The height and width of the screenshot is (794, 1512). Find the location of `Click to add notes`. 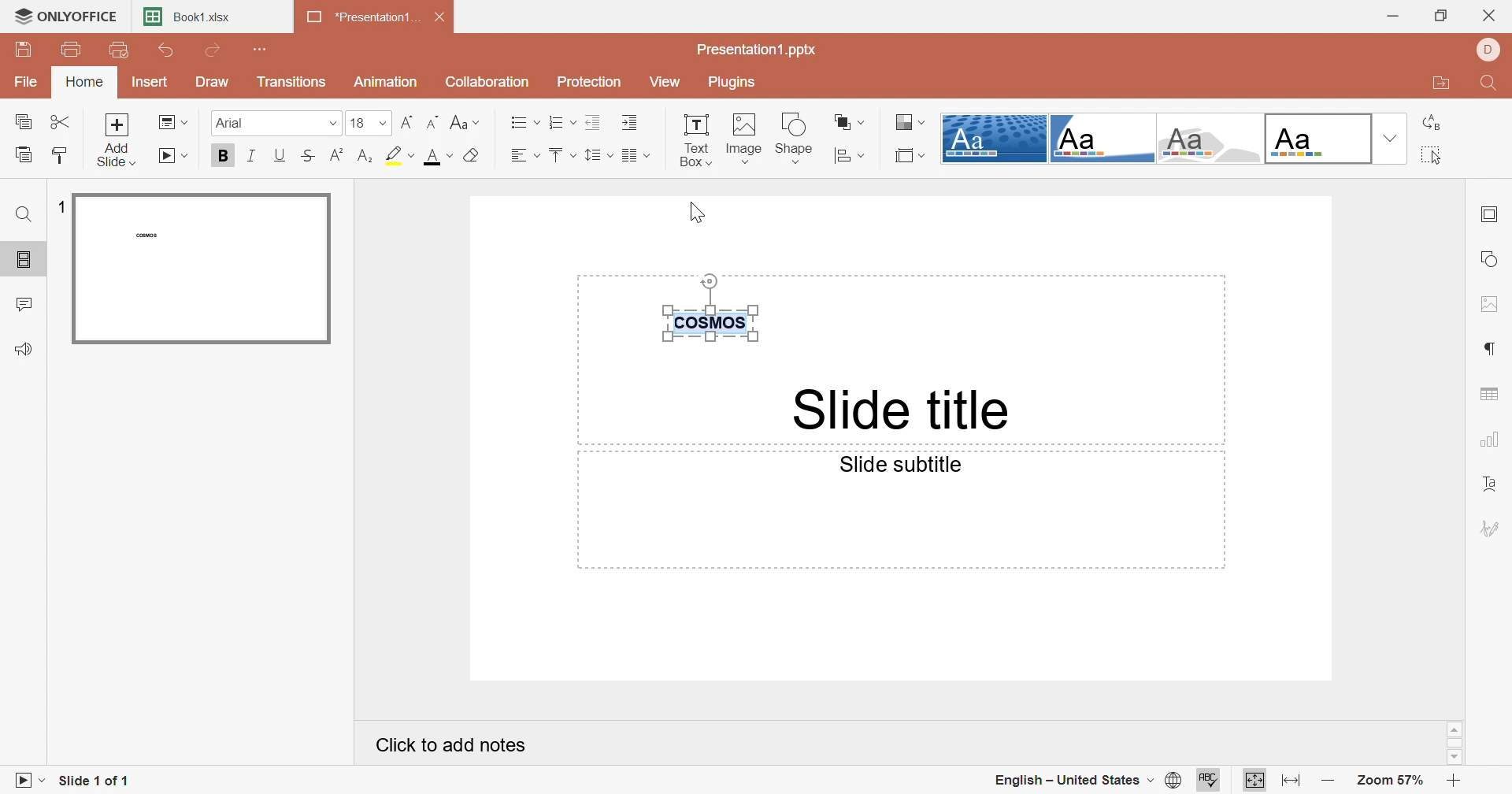

Click to add notes is located at coordinates (444, 742).